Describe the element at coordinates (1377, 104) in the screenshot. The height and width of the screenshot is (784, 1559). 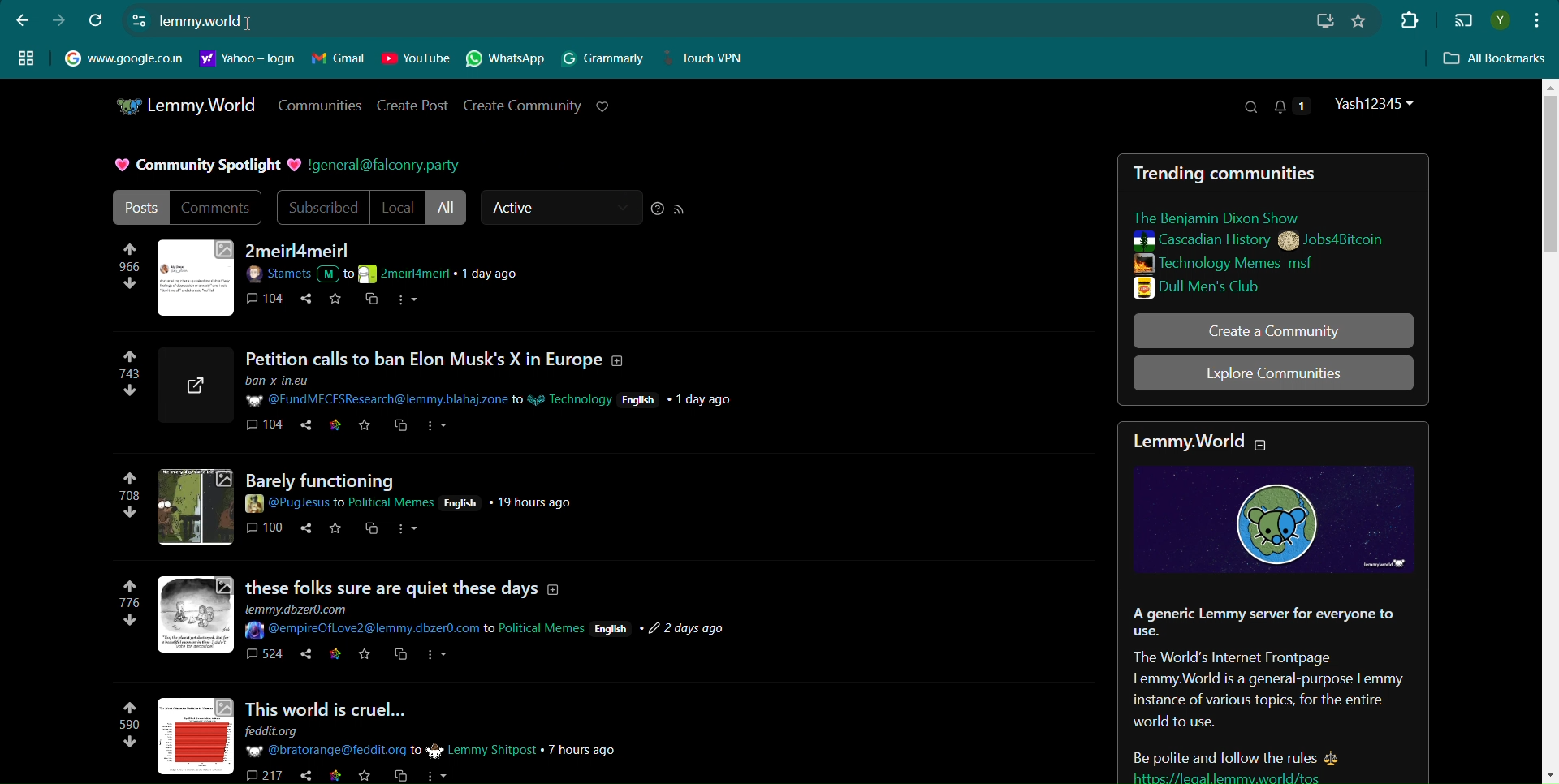
I see `Profile` at that location.